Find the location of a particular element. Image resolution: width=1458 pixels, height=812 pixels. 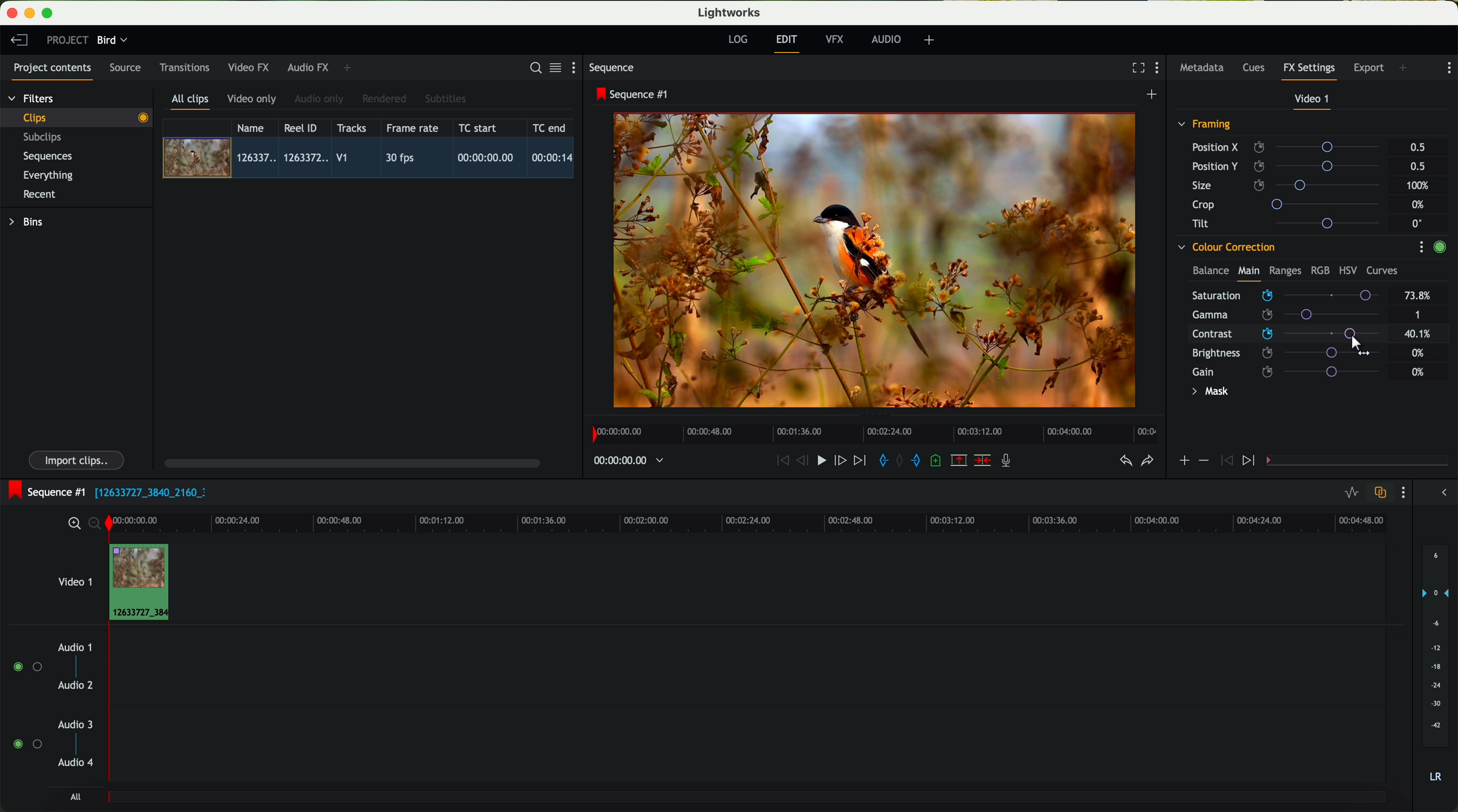

0% is located at coordinates (1418, 372).